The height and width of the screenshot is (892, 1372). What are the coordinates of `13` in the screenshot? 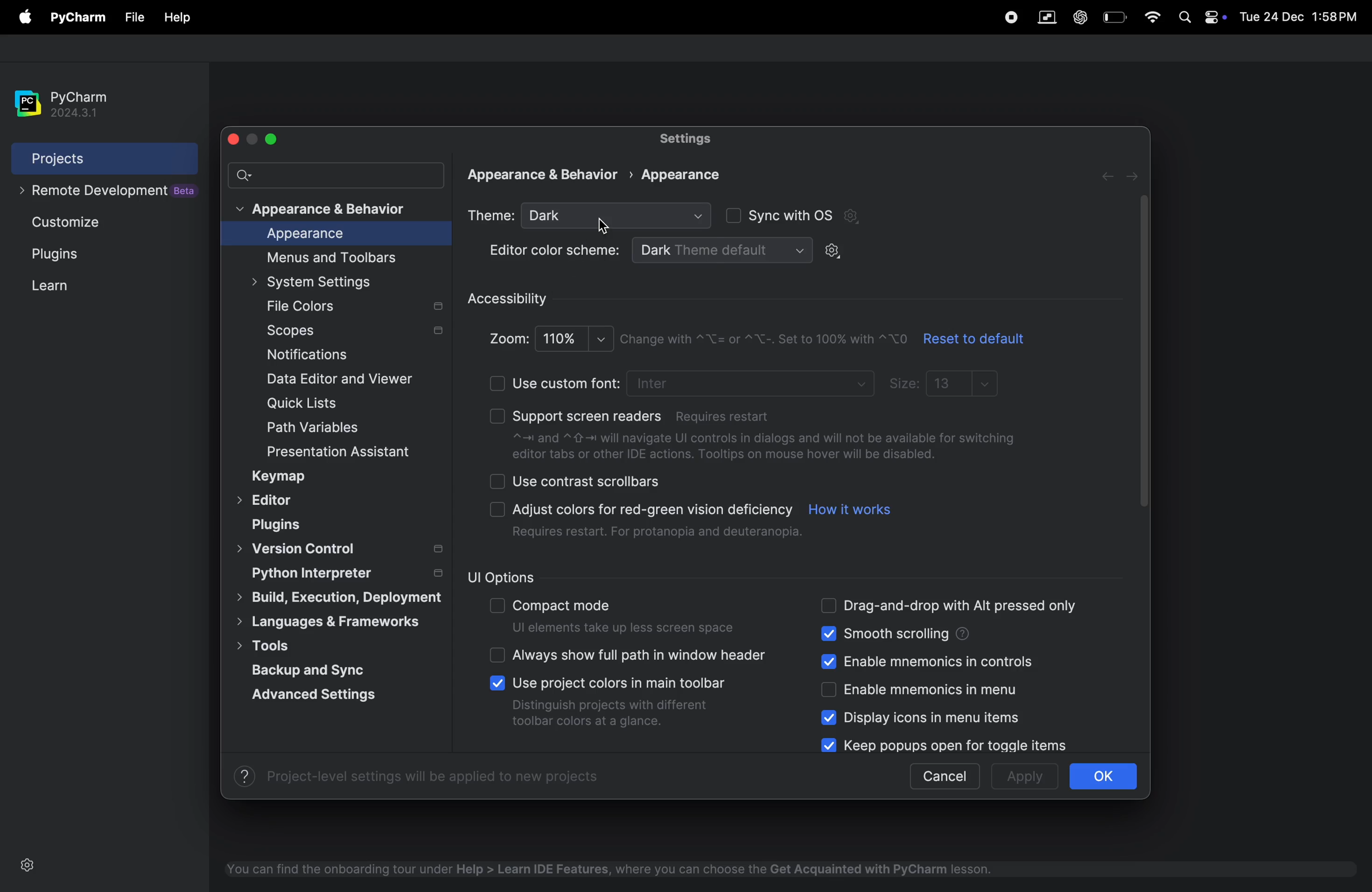 It's located at (968, 384).